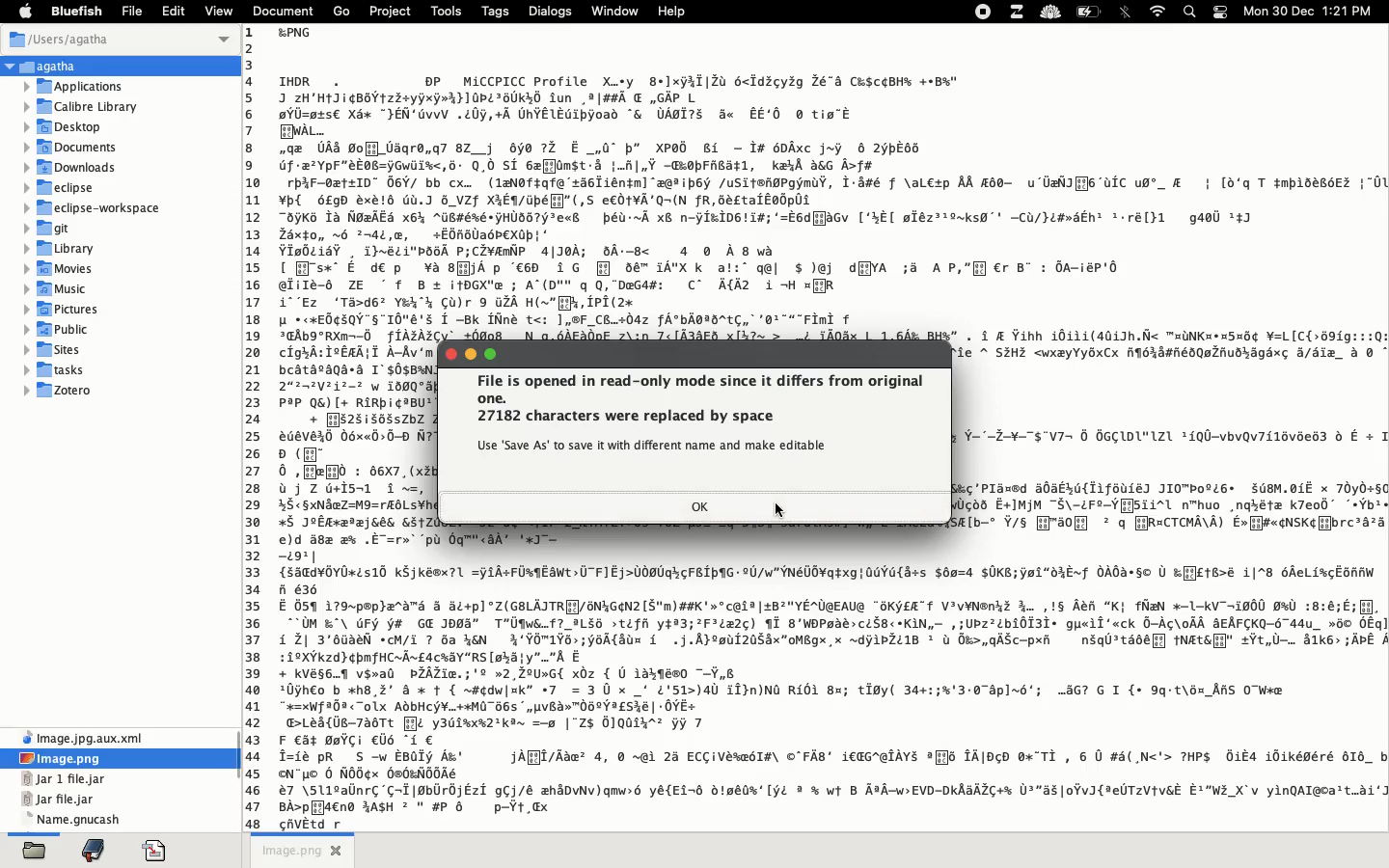  Describe the element at coordinates (58, 329) in the screenshot. I see `public` at that location.